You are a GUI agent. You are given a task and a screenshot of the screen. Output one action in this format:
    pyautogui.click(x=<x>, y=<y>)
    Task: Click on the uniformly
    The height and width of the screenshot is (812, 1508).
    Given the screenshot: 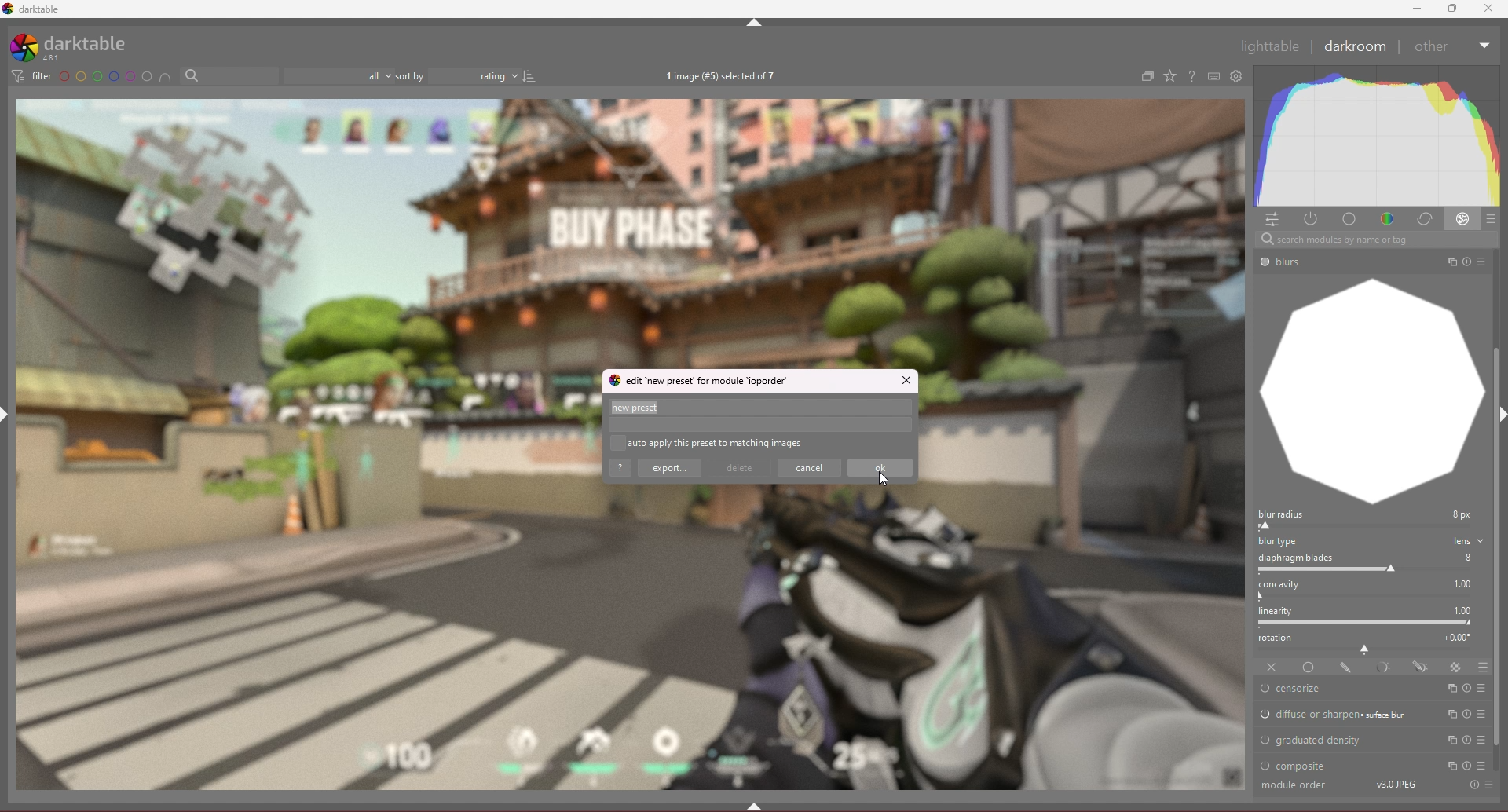 What is the action you would take?
    pyautogui.click(x=1309, y=668)
    